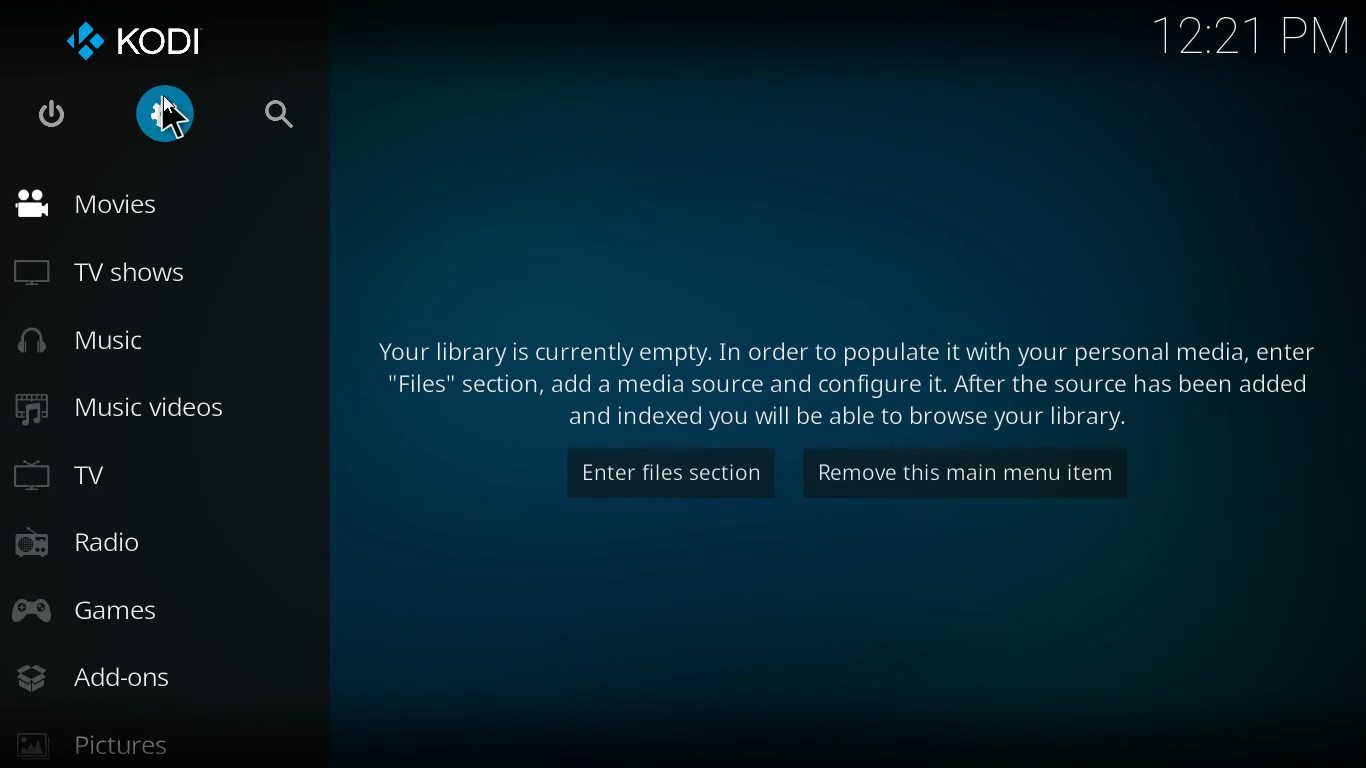 Image resolution: width=1366 pixels, height=768 pixels. What do you see at coordinates (52, 119) in the screenshot?
I see `power` at bounding box center [52, 119].